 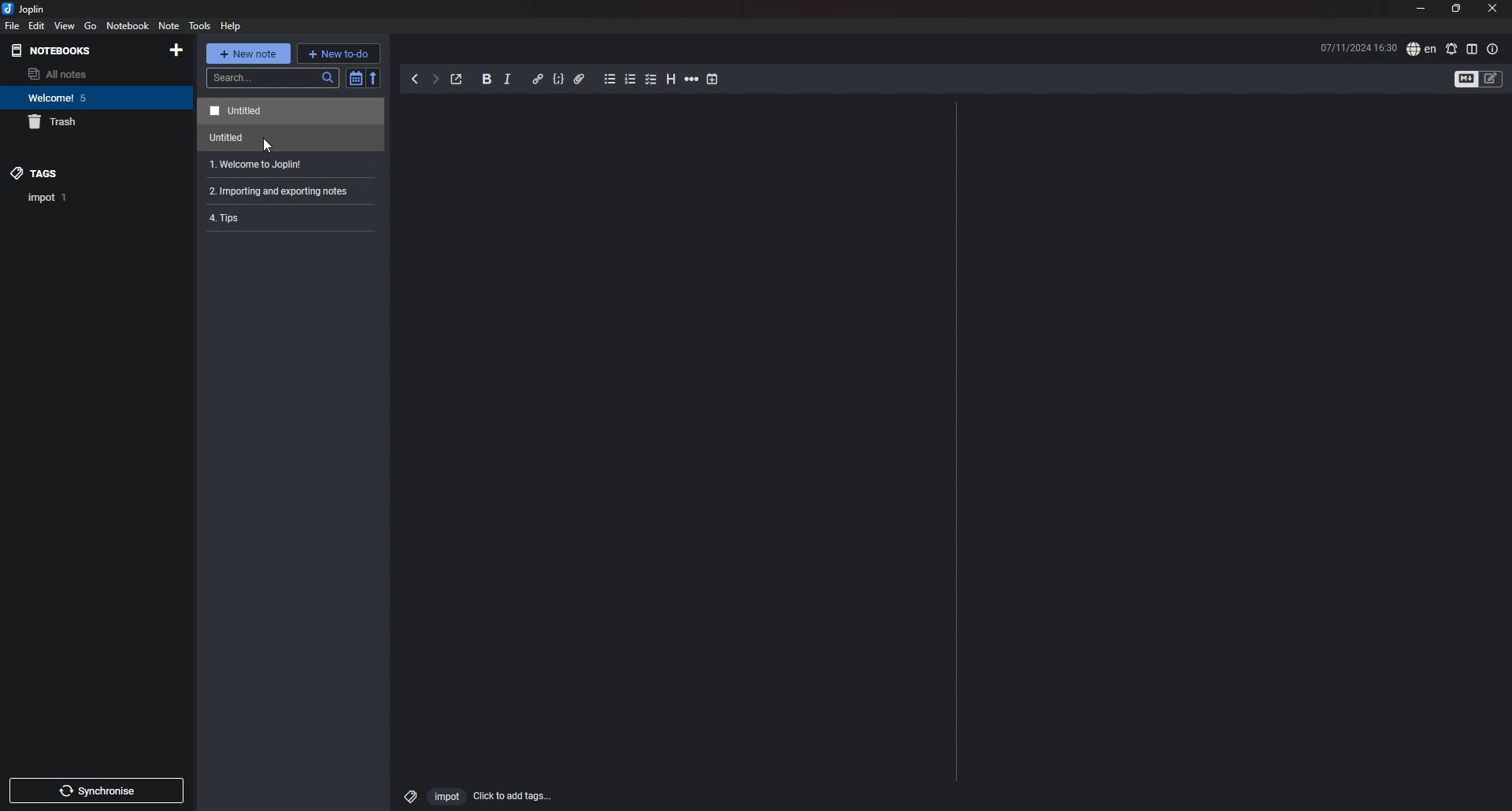 What do you see at coordinates (447, 797) in the screenshot?
I see `impot` at bounding box center [447, 797].